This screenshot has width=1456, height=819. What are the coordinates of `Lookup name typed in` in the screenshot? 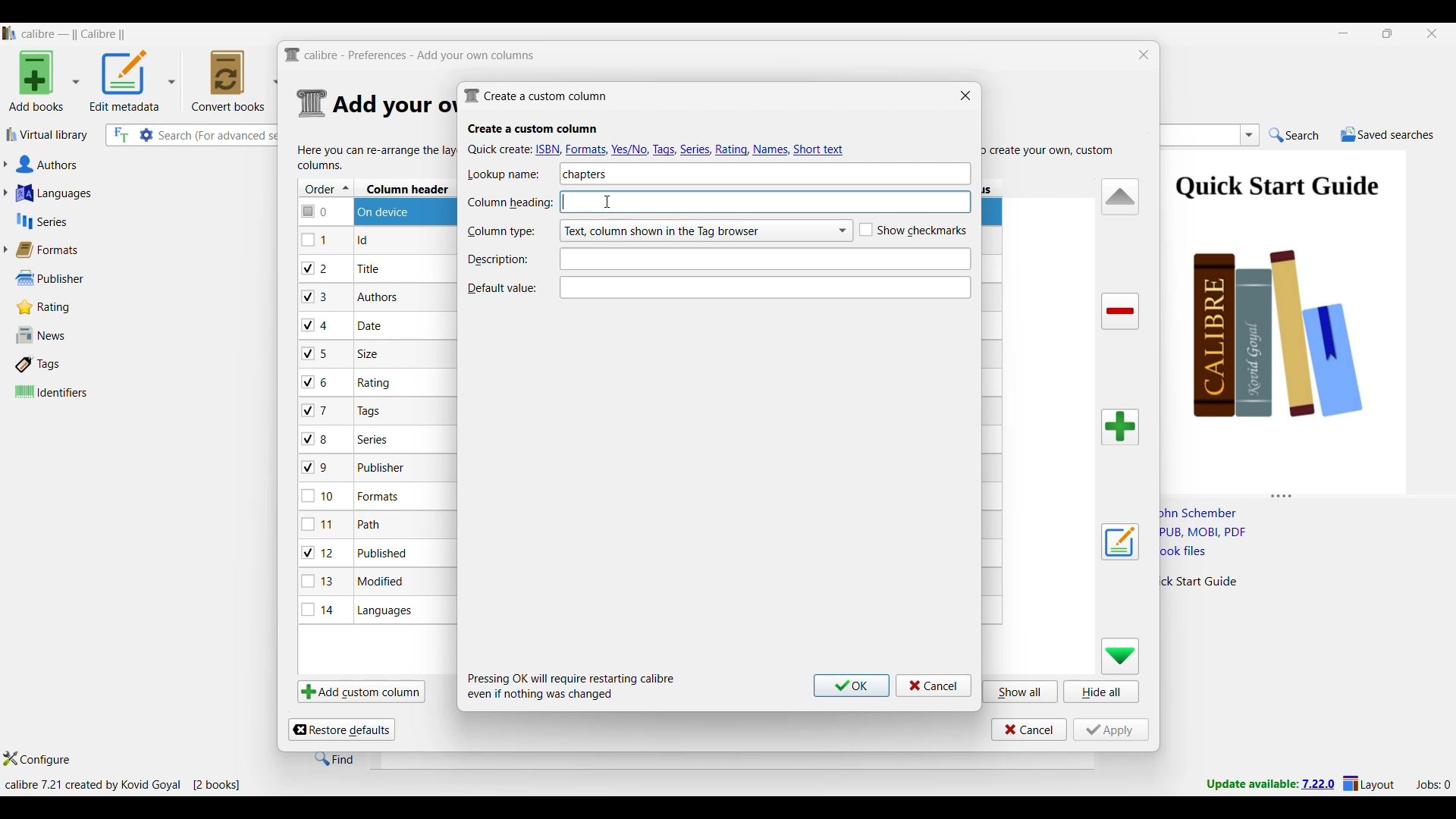 It's located at (585, 174).